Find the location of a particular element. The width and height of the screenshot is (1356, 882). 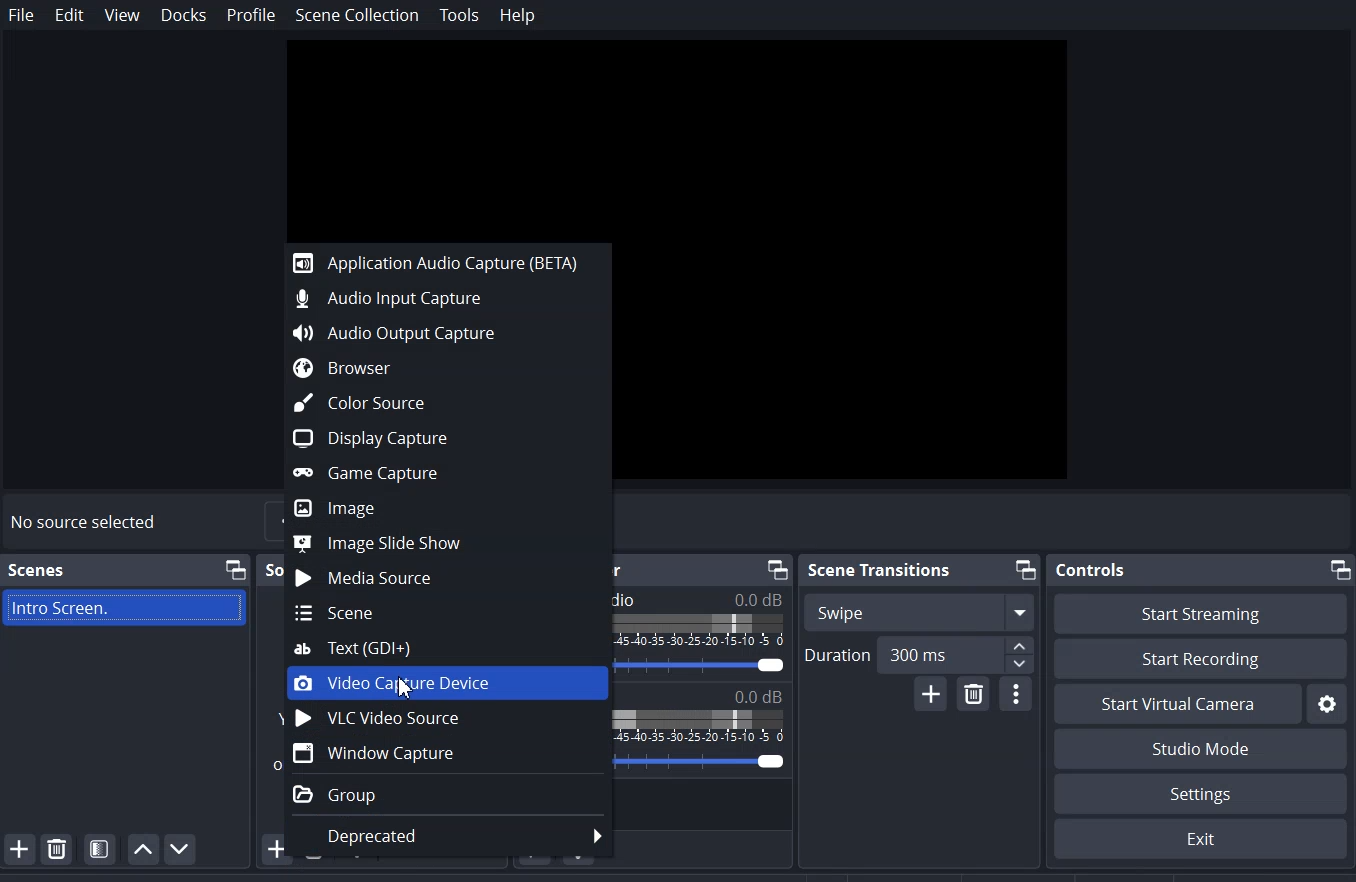

Game Capture is located at coordinates (438, 473).